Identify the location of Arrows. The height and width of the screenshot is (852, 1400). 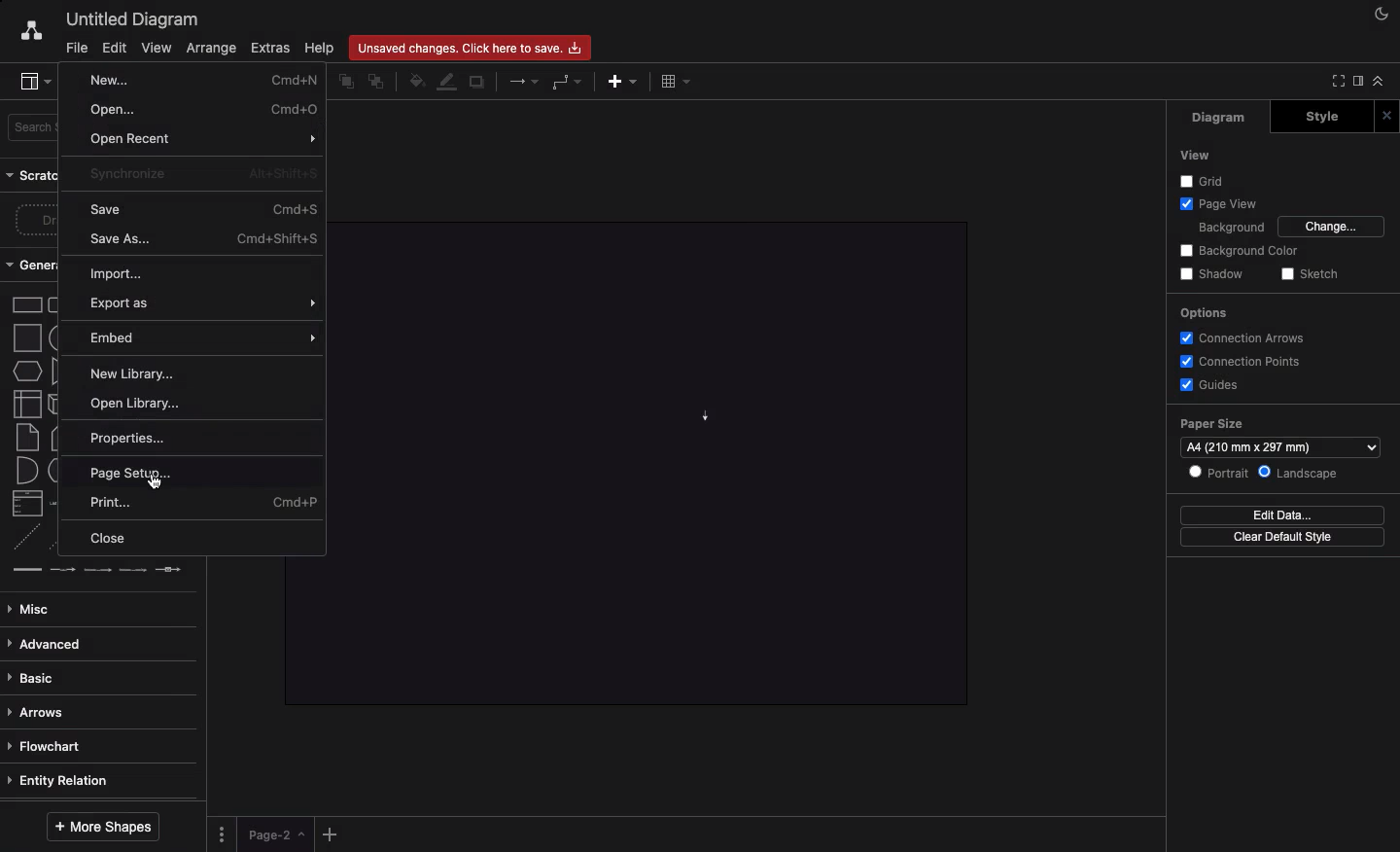
(43, 712).